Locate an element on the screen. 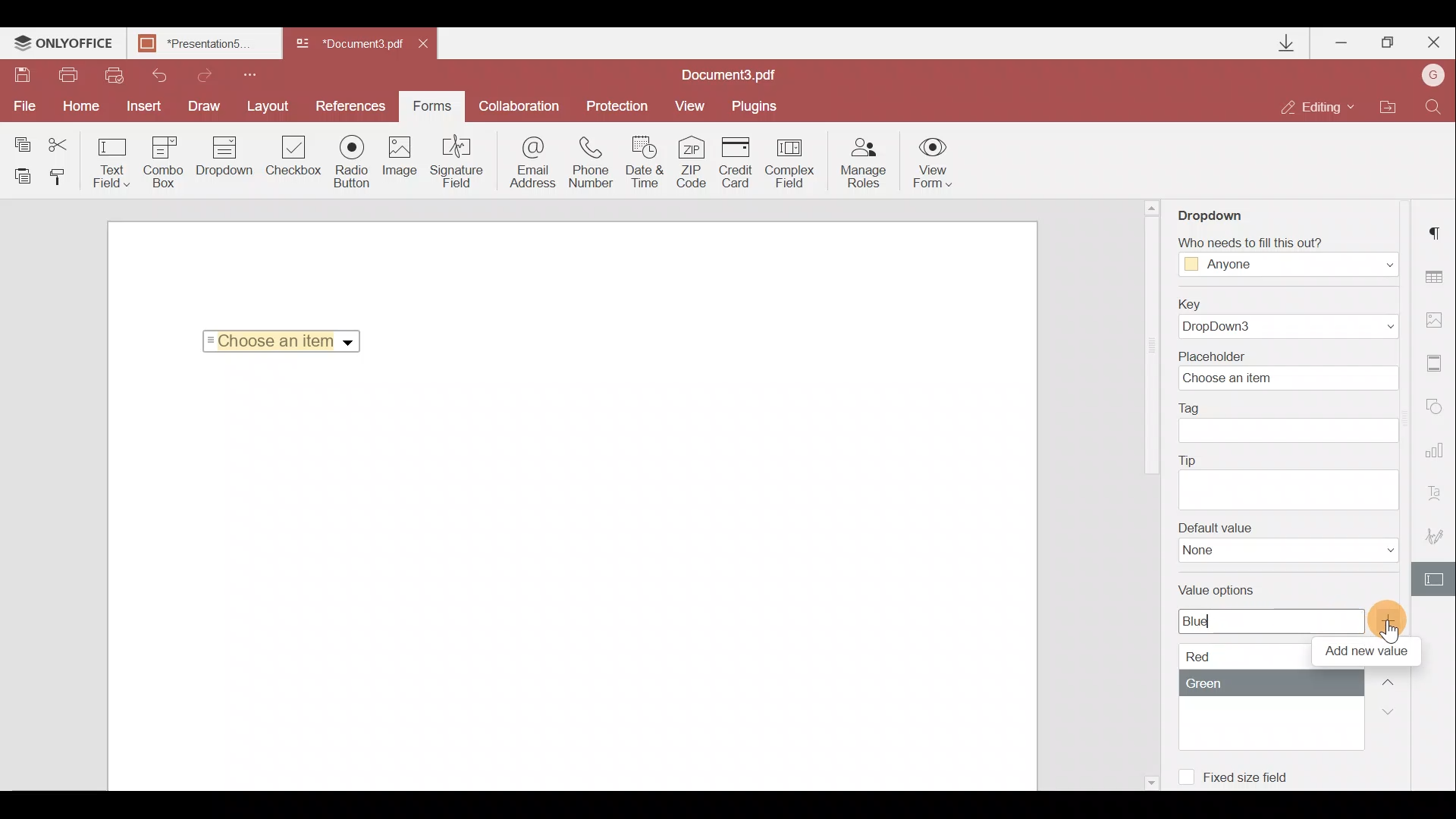 Image resolution: width=1456 pixels, height=819 pixels. Dropdown is located at coordinates (221, 165).